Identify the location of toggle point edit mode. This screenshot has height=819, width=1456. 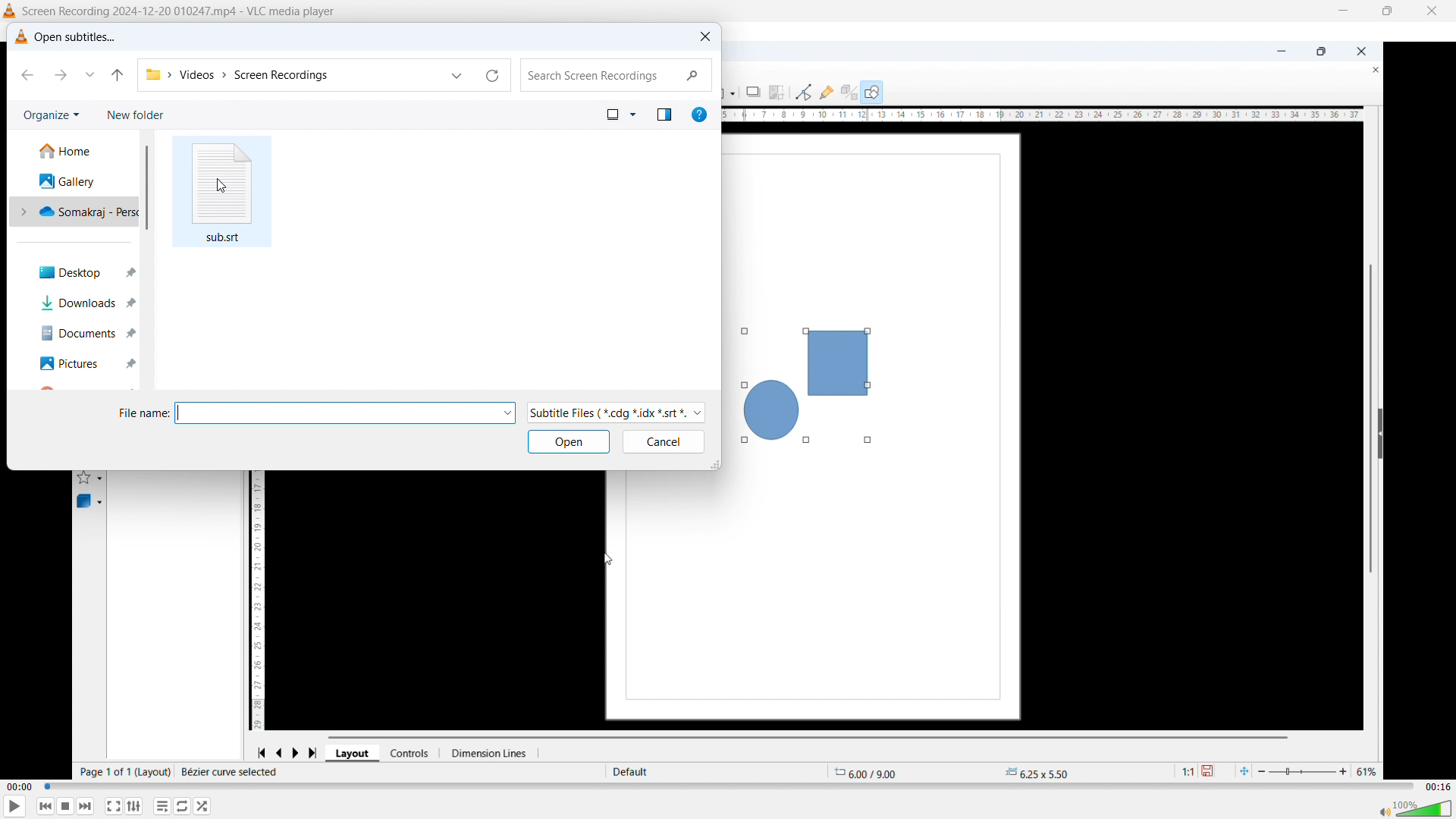
(803, 91).